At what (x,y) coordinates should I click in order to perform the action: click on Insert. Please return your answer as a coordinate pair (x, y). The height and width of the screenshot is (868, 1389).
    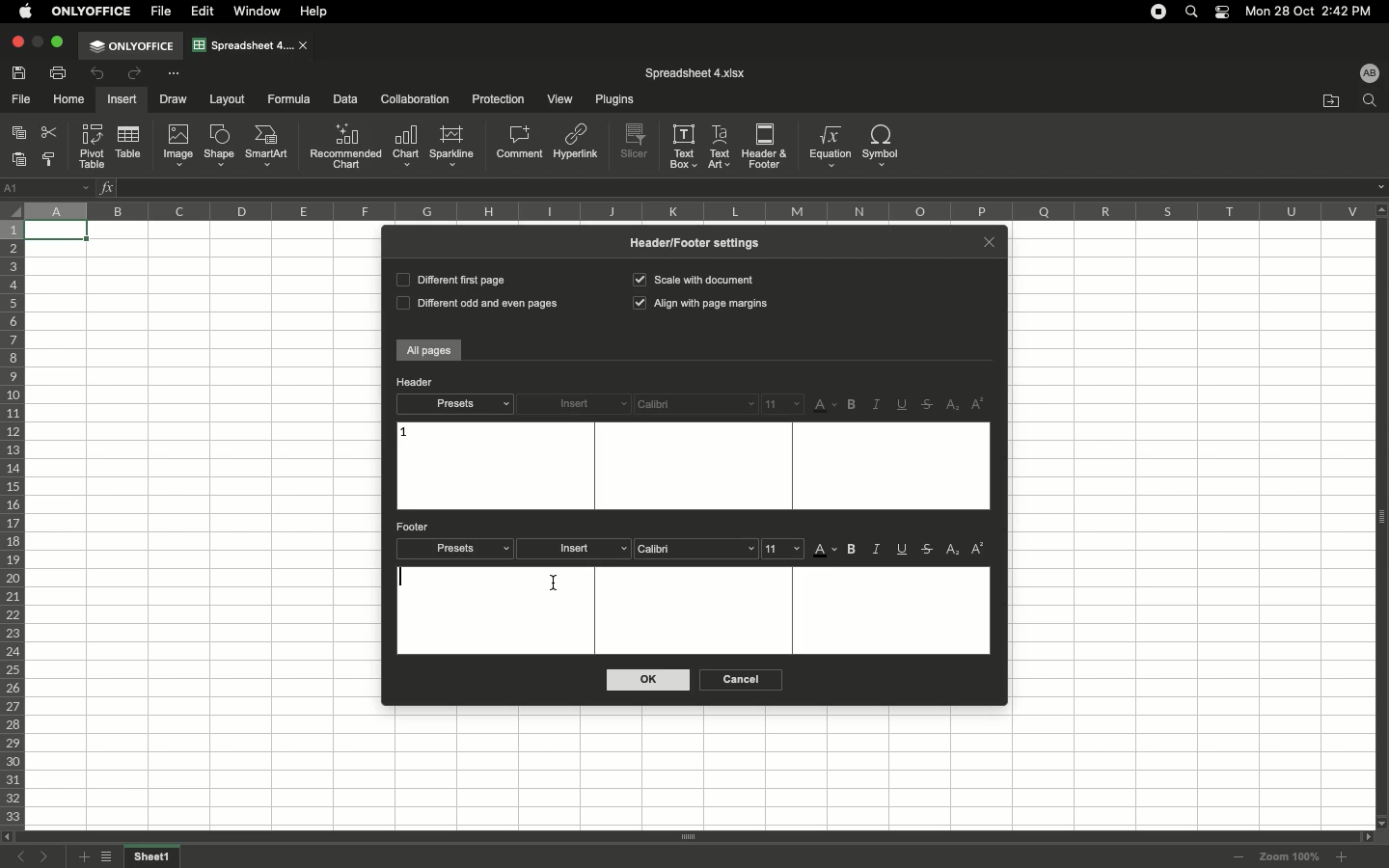
    Looking at the image, I should click on (578, 549).